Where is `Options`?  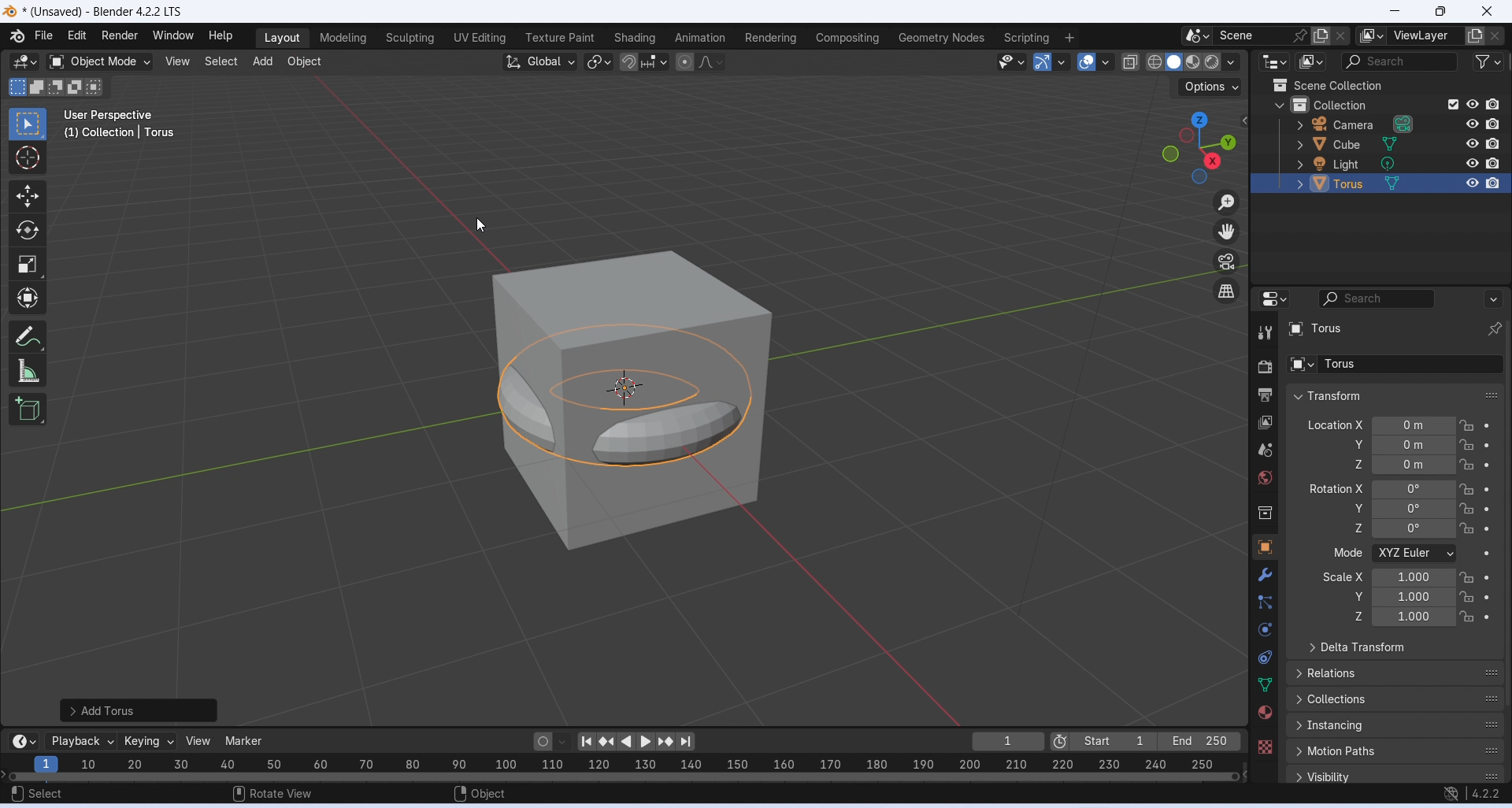 Options is located at coordinates (1207, 86).